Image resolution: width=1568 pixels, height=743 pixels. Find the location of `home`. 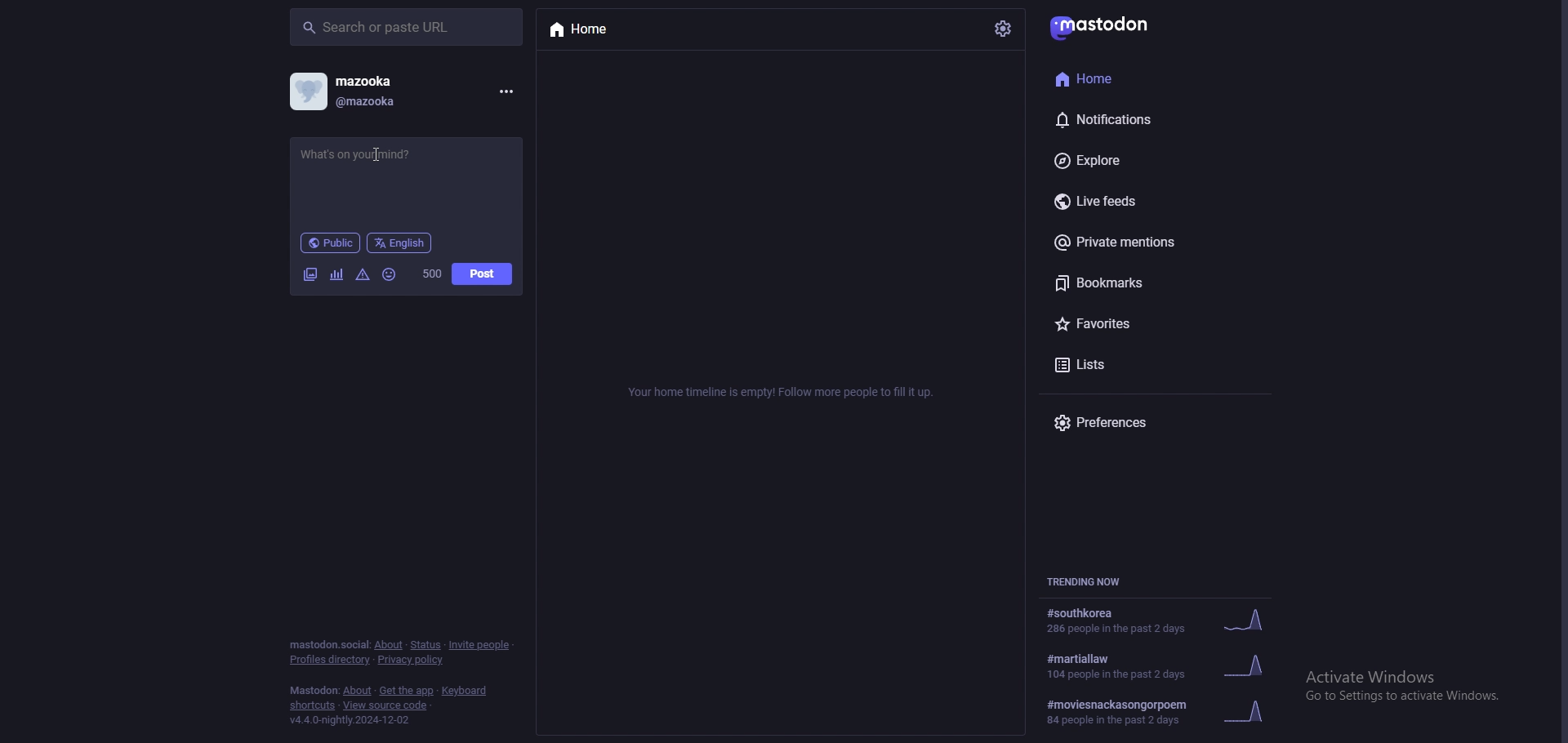

home is located at coordinates (613, 30).